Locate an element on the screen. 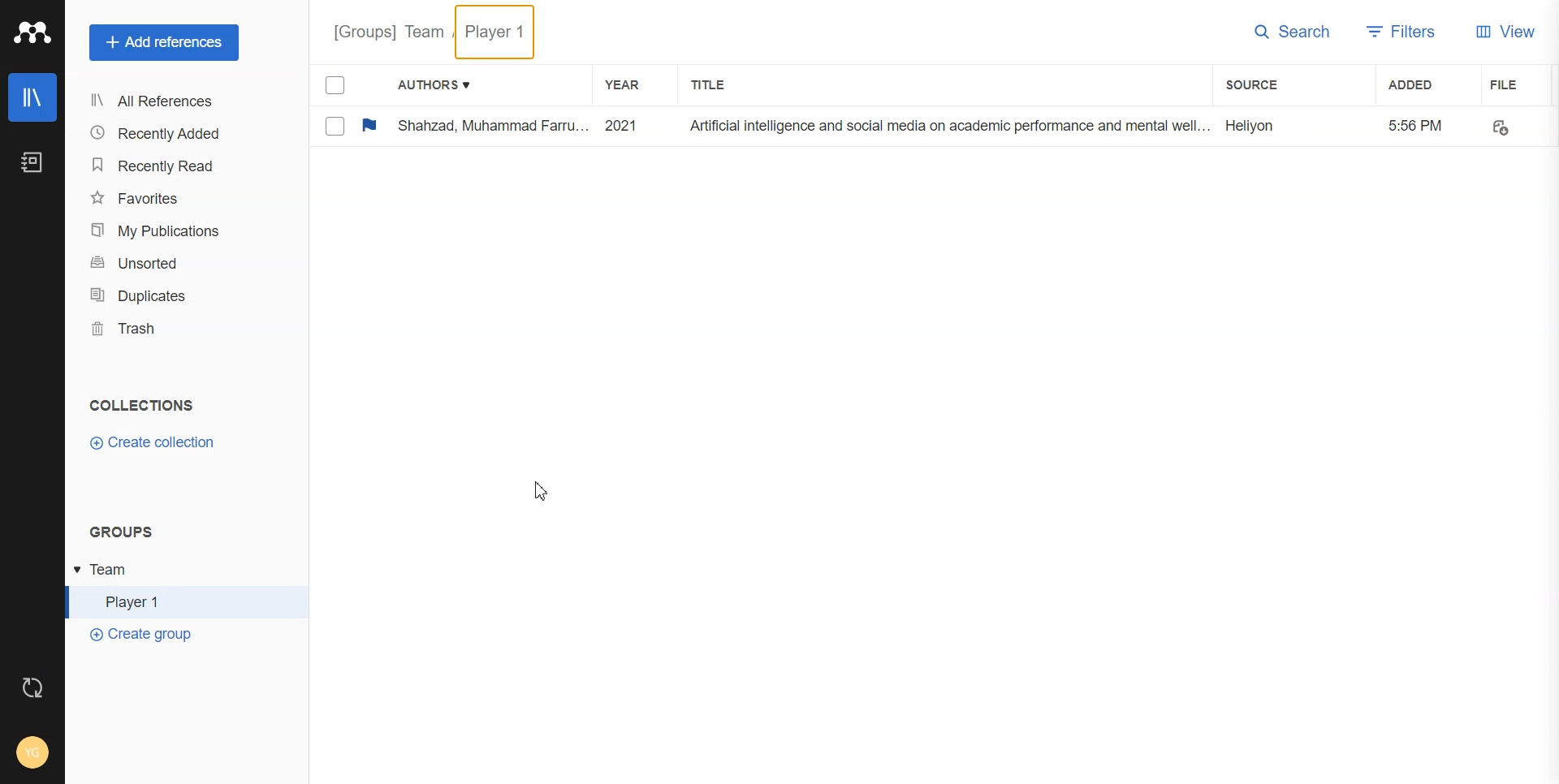 This screenshot has width=1559, height=784. Year is located at coordinates (624, 84).